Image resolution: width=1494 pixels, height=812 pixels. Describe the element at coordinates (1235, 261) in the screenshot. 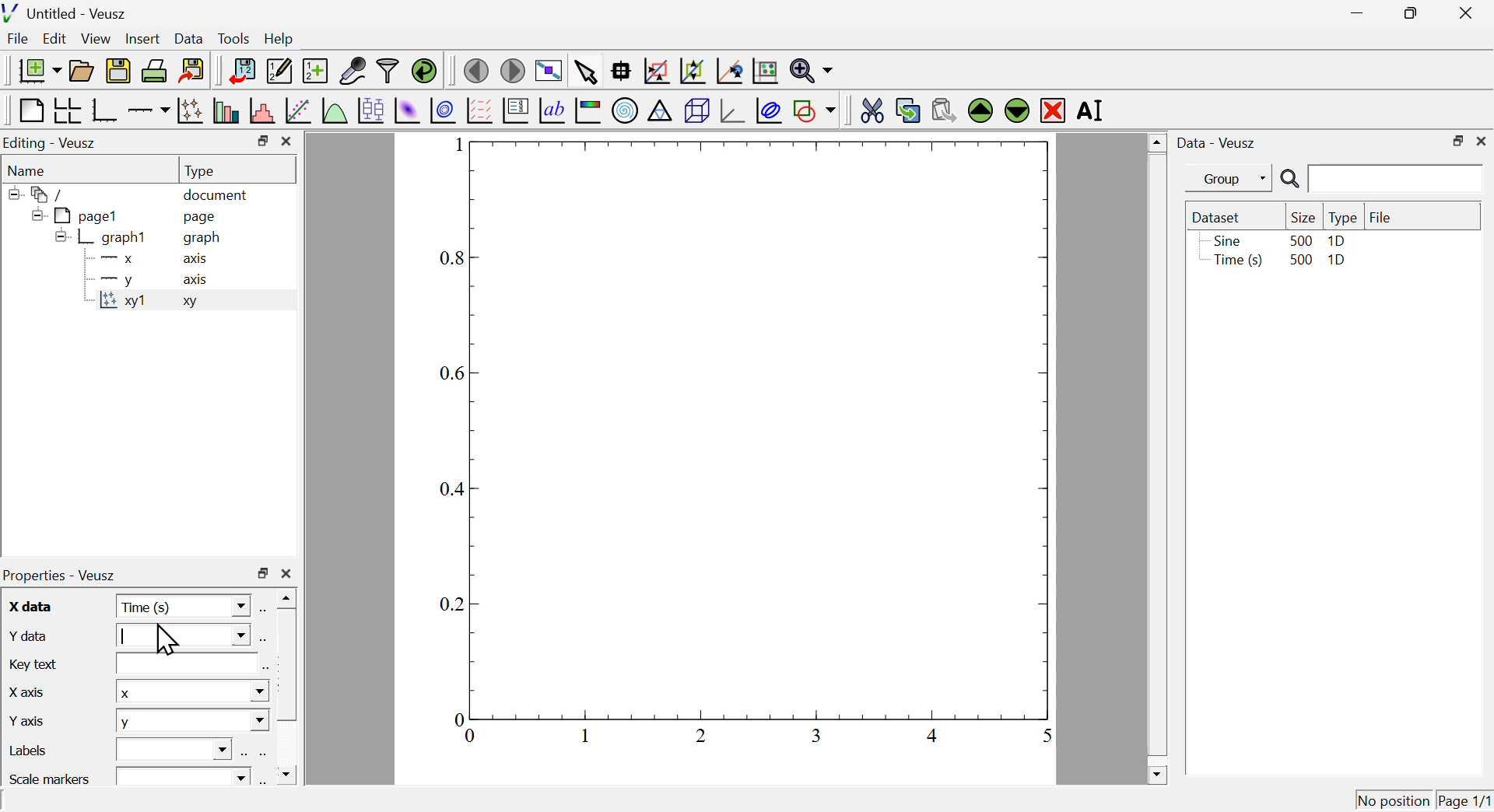

I see `time(s)` at that location.